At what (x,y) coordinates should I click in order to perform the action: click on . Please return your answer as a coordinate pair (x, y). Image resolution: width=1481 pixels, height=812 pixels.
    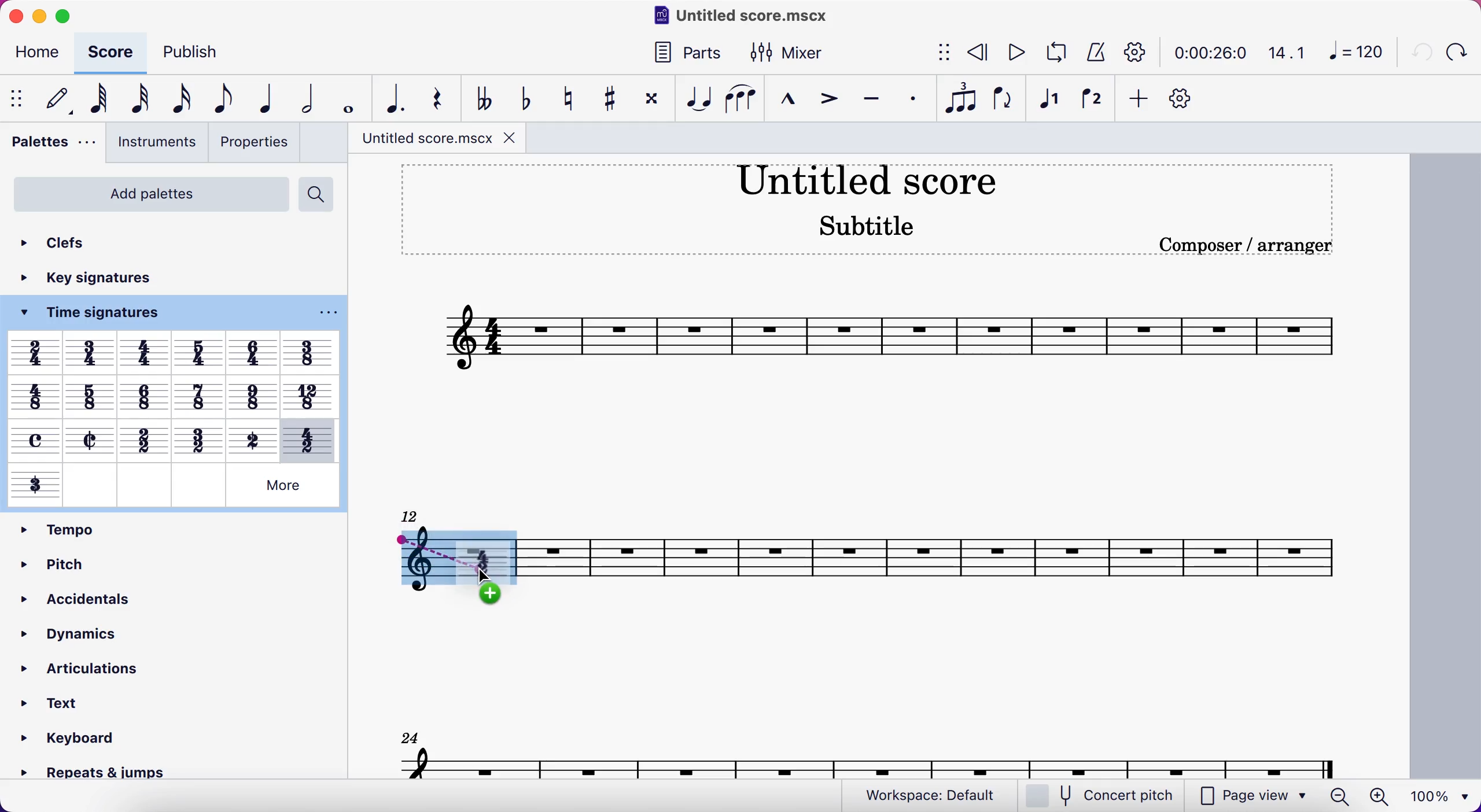
    Looking at the image, I should click on (254, 353).